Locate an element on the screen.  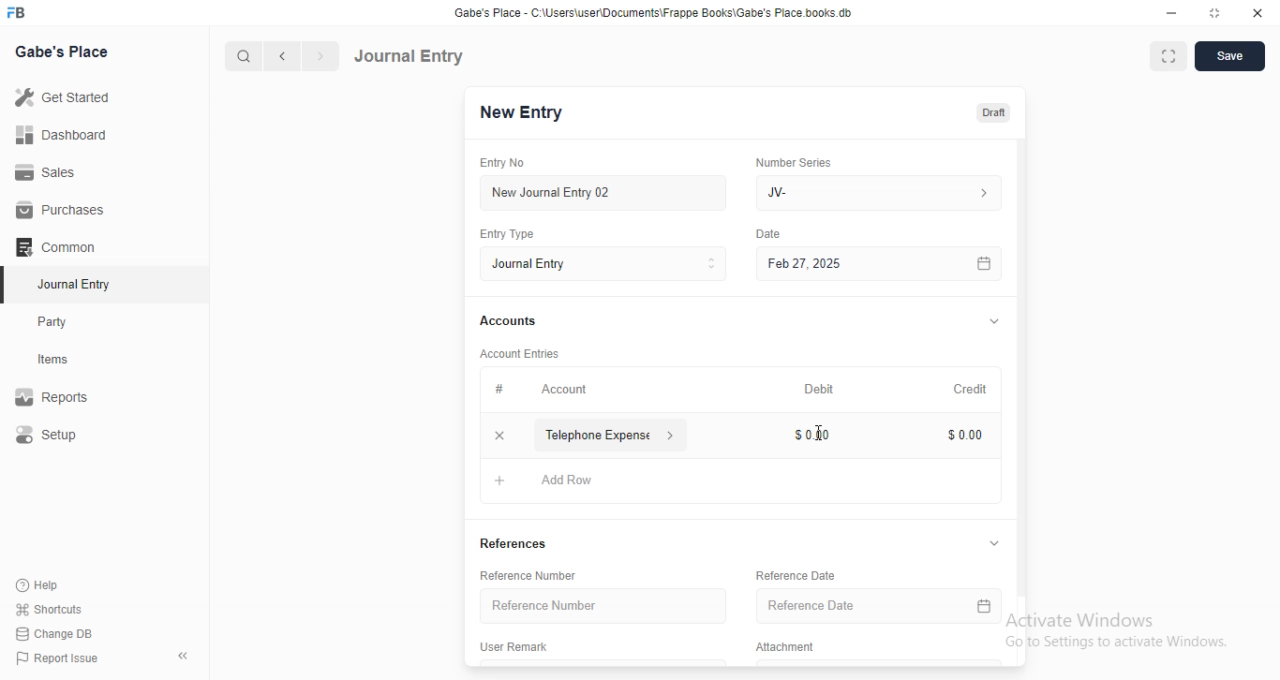
Telephone Expense is located at coordinates (611, 433).